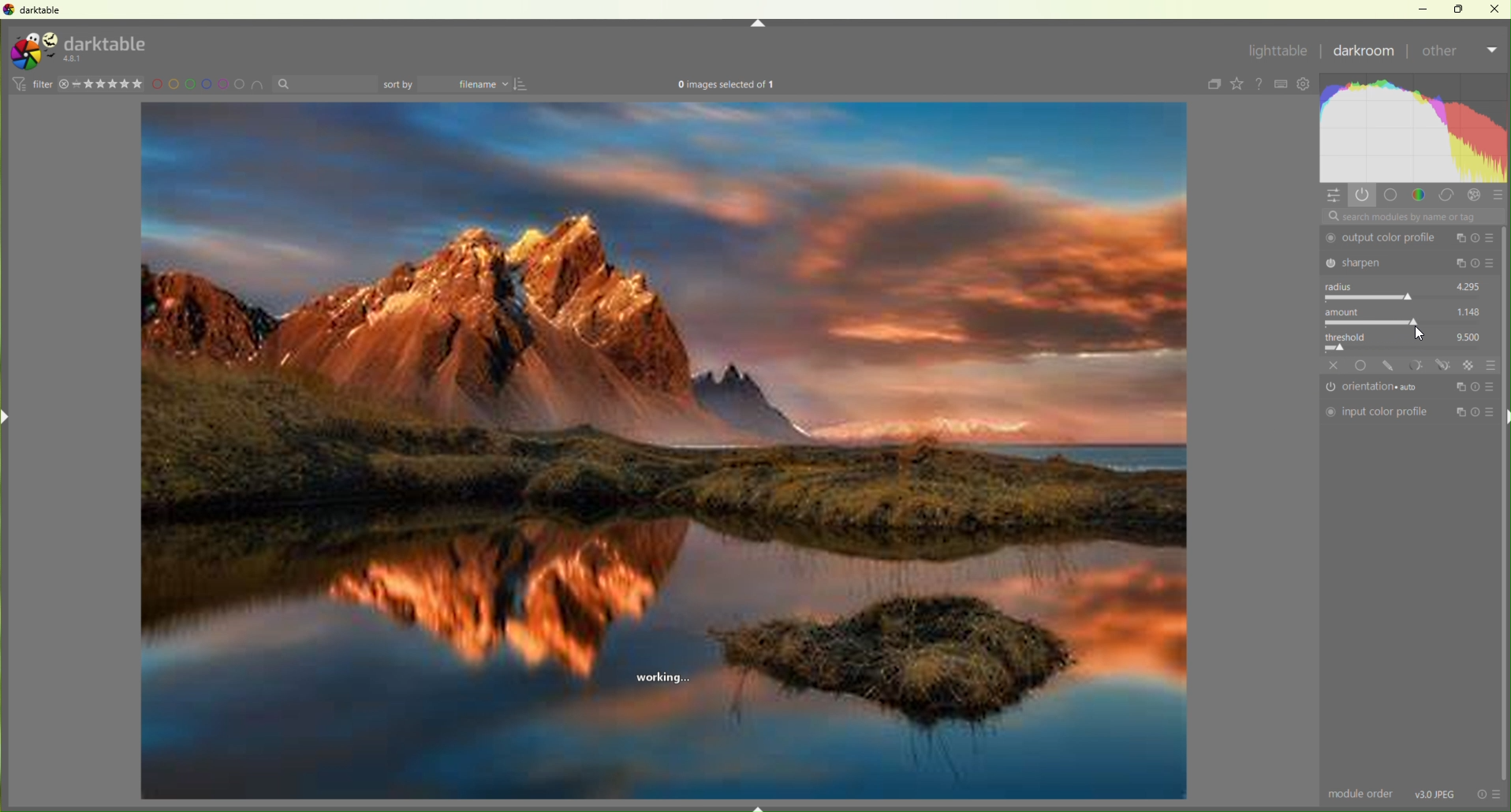  I want to click on radius, so click(1343, 286).